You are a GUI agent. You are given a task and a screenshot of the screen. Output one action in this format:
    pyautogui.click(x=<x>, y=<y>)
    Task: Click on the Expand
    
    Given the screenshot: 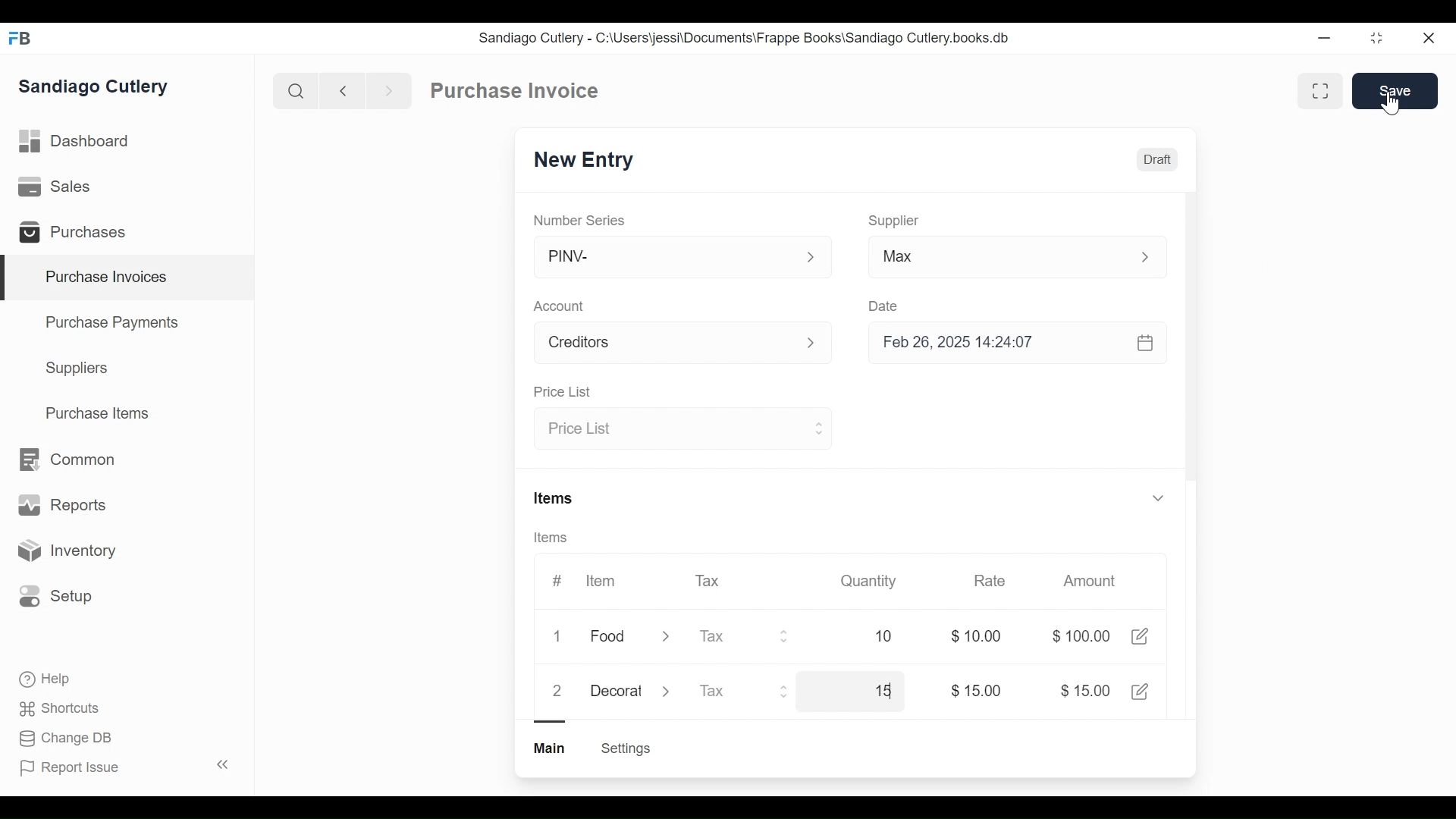 What is the action you would take?
    pyautogui.click(x=817, y=427)
    